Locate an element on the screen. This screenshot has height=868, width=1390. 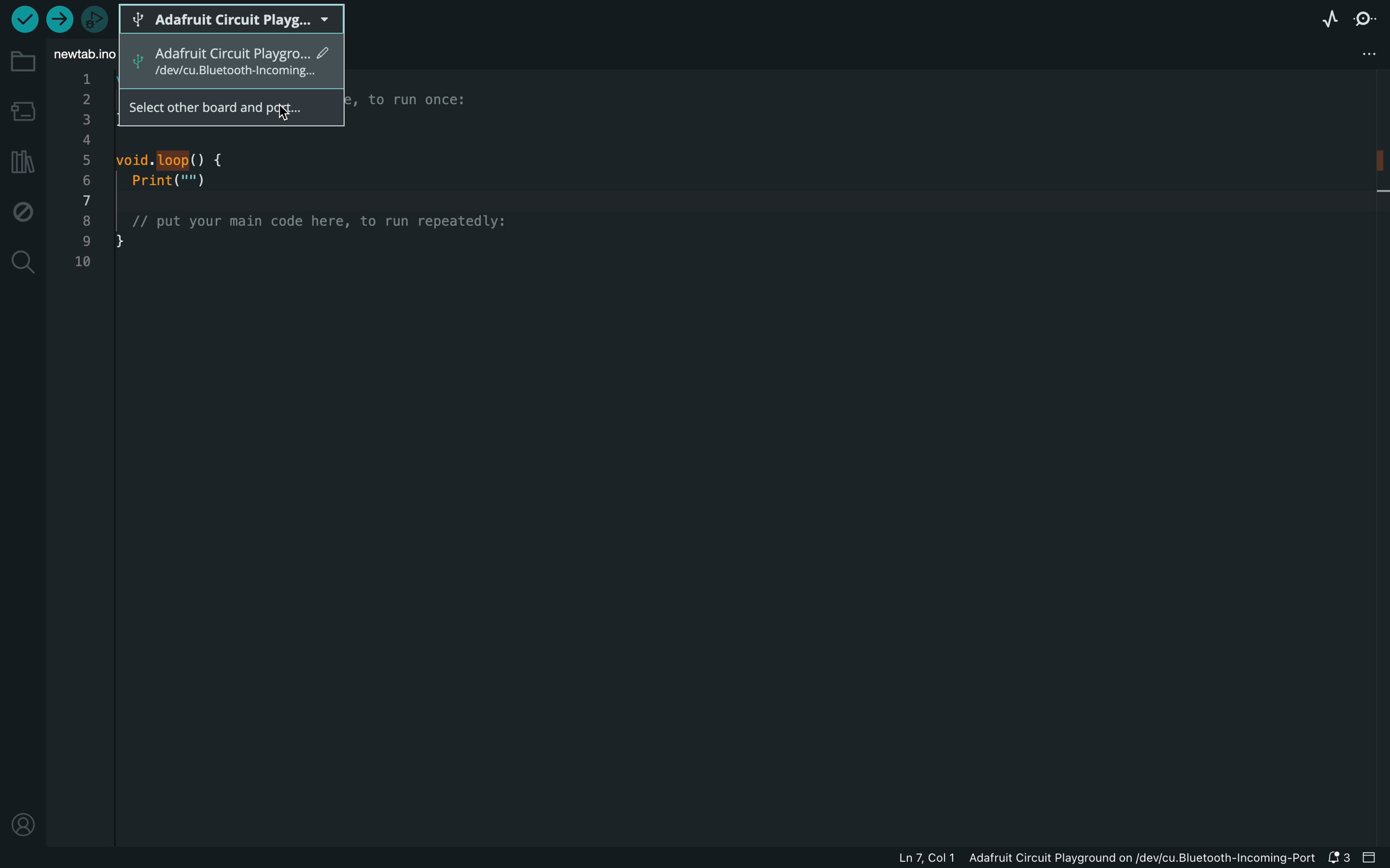
folder is located at coordinates (25, 61).